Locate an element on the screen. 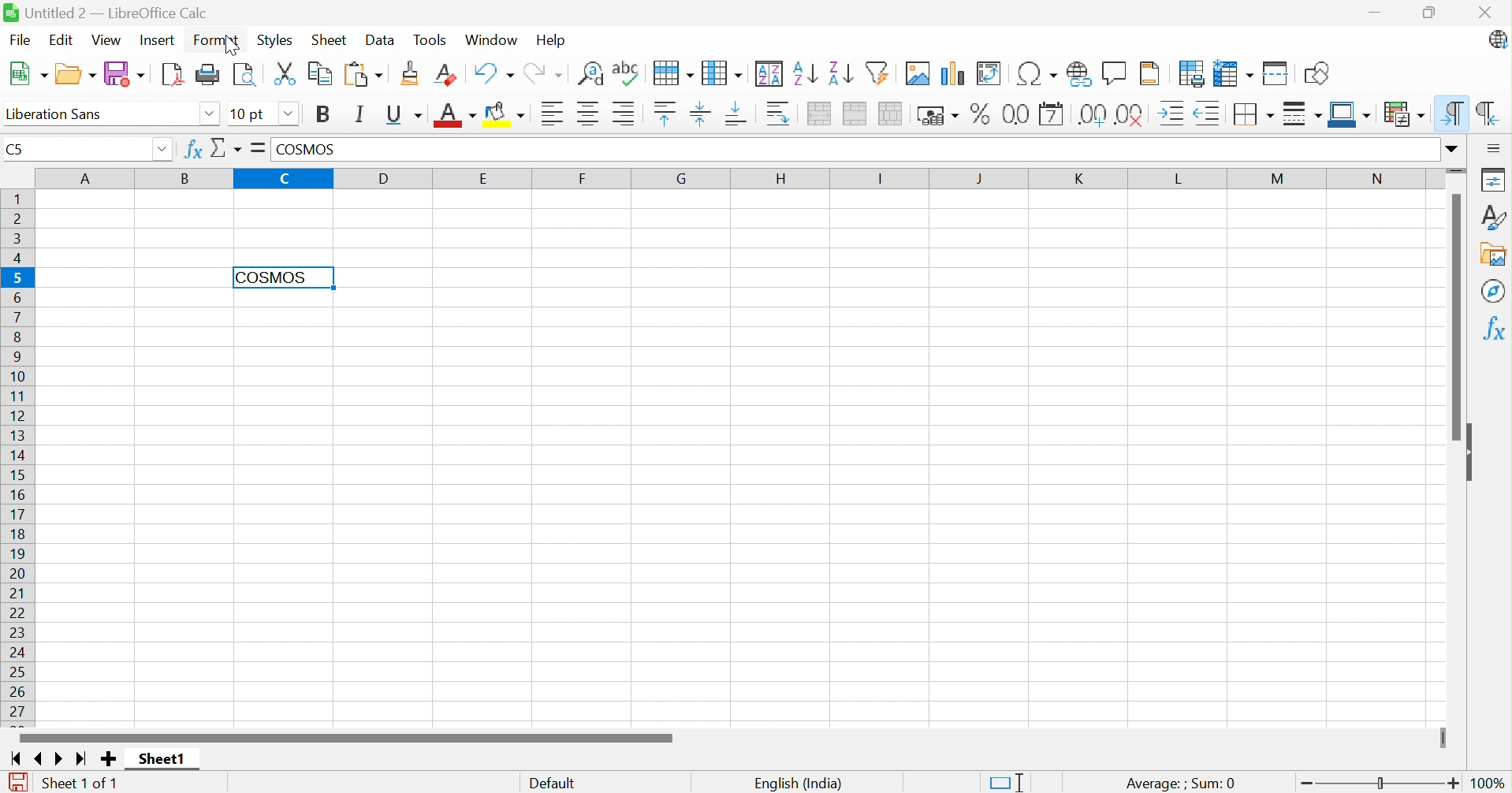 This screenshot has height=793, width=1512. COSMOS is located at coordinates (307, 148).